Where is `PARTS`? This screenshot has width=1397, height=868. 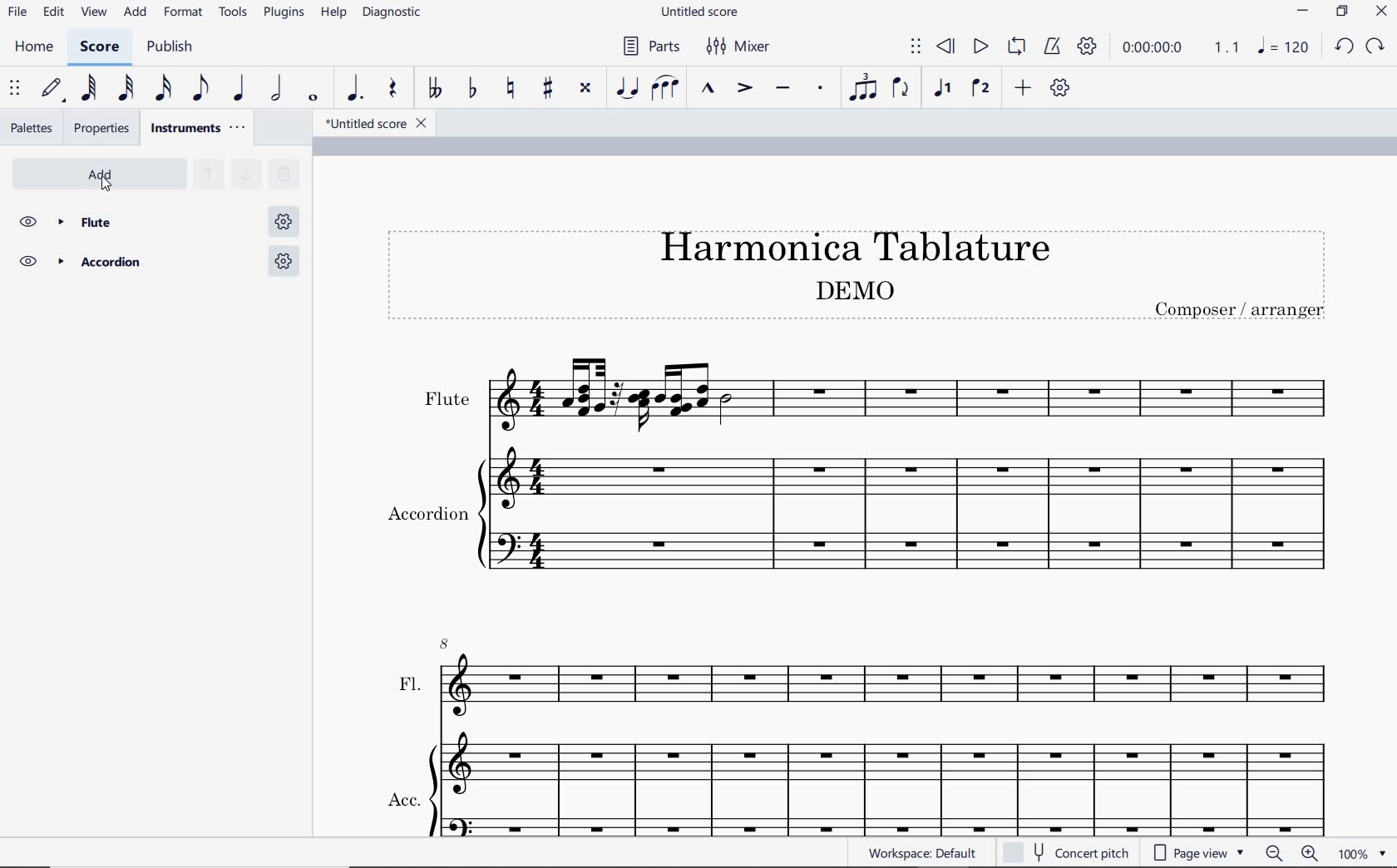
PARTS is located at coordinates (649, 47).